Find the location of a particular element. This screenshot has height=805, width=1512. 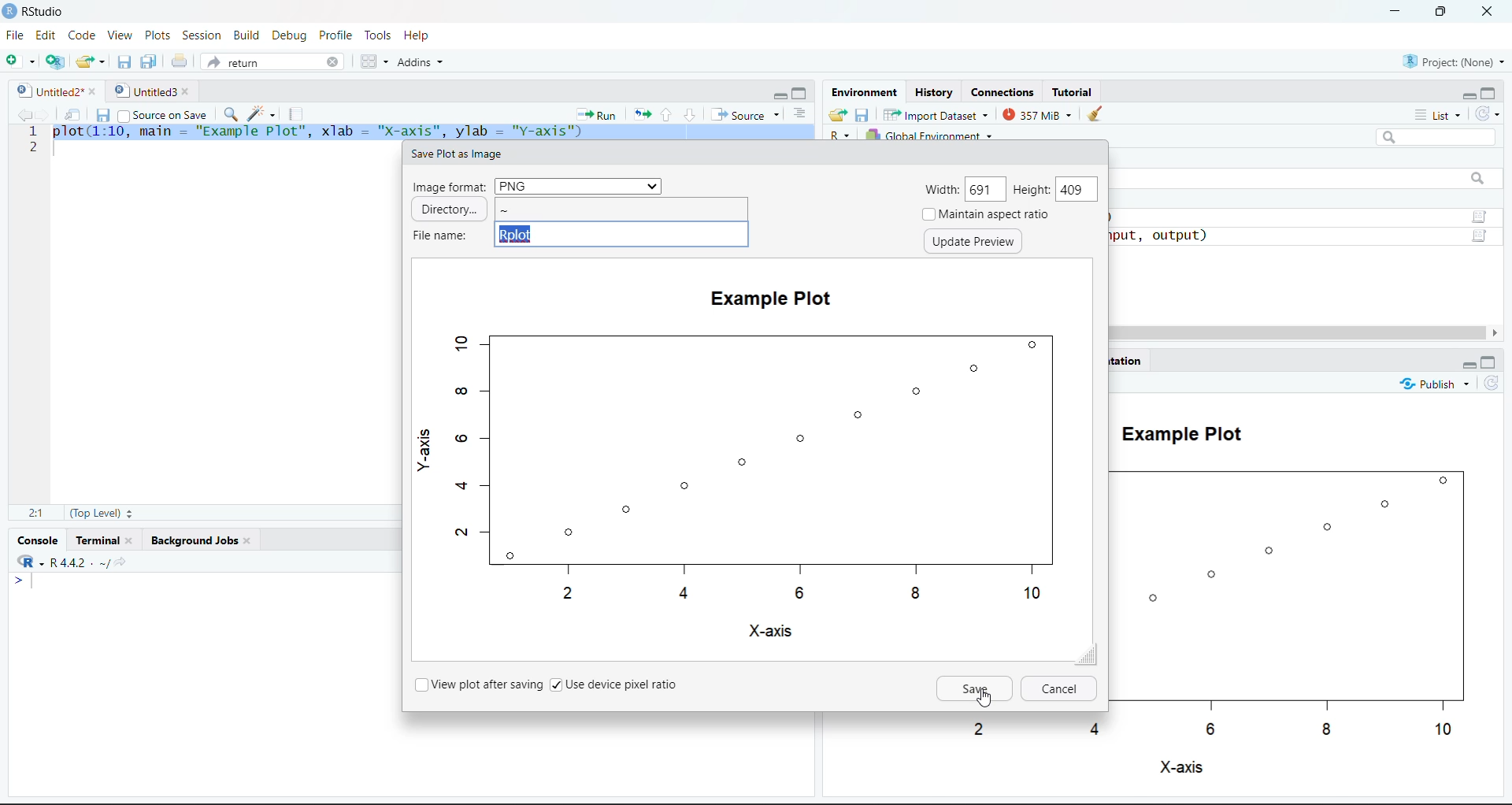

RStudio Logo is located at coordinates (24, 559).